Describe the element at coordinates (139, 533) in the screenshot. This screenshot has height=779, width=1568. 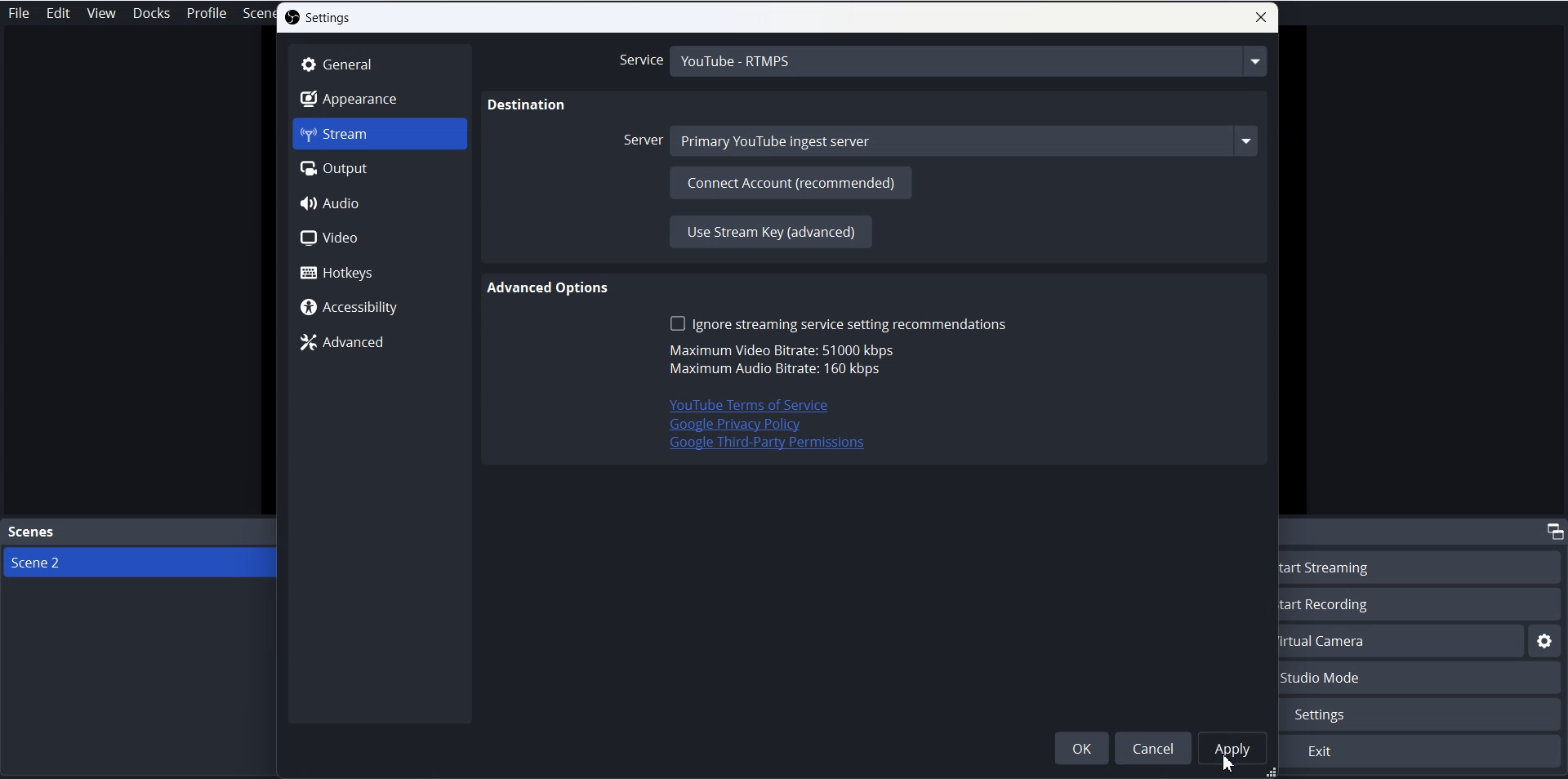
I see `Scenes` at that location.